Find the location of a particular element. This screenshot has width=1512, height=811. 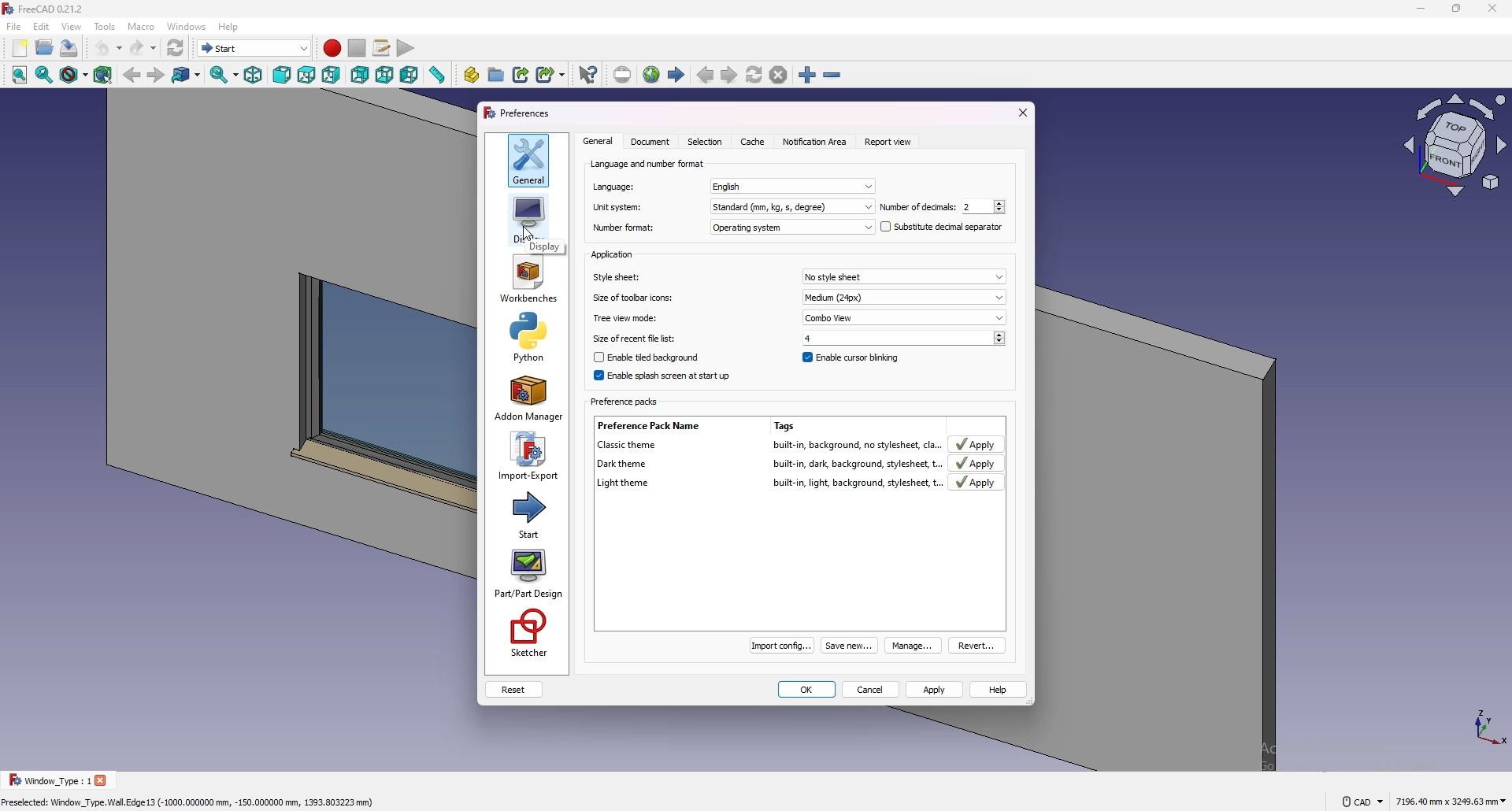

back is located at coordinates (132, 76).